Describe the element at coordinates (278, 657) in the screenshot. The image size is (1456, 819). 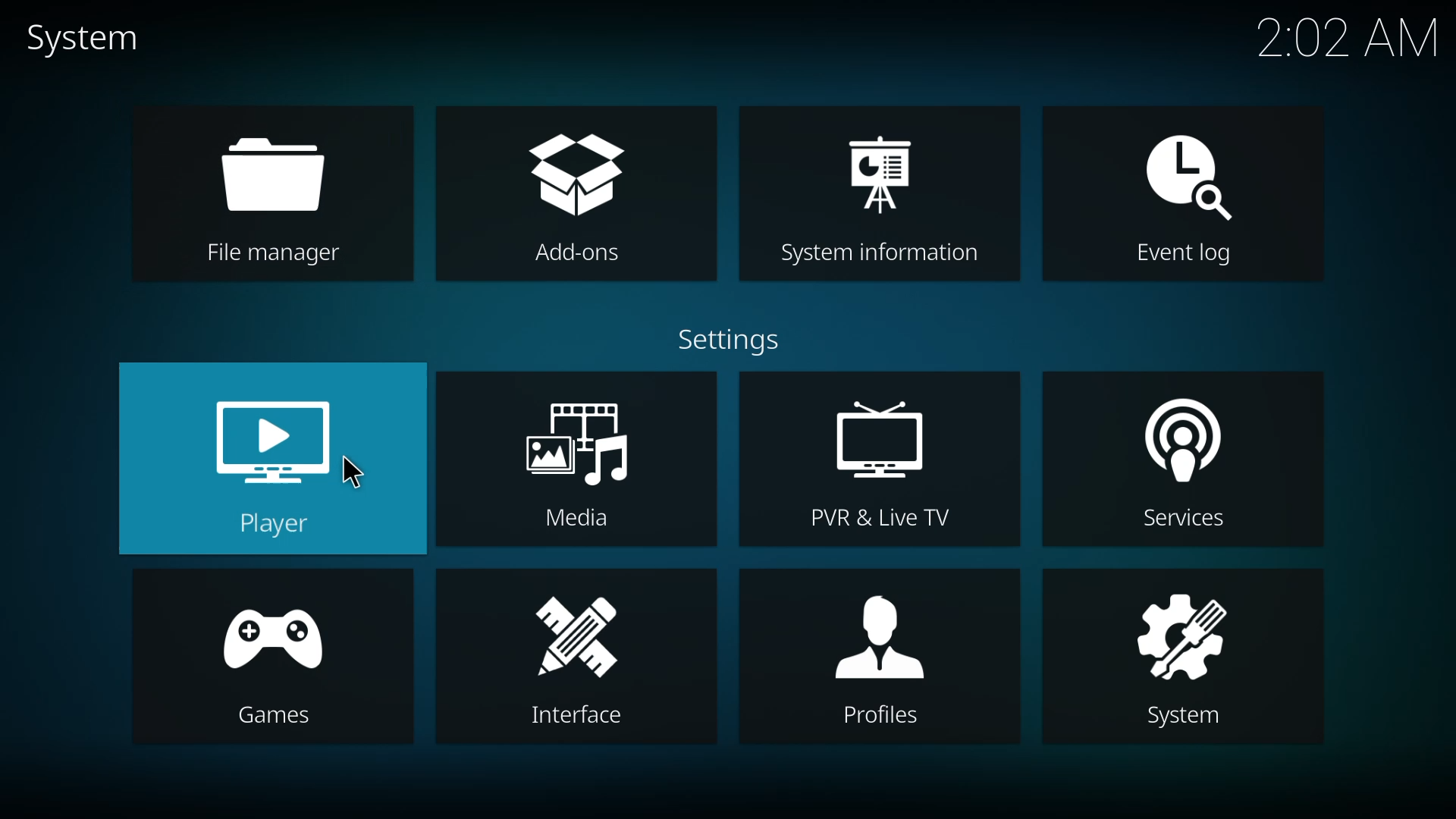
I see `games` at that location.